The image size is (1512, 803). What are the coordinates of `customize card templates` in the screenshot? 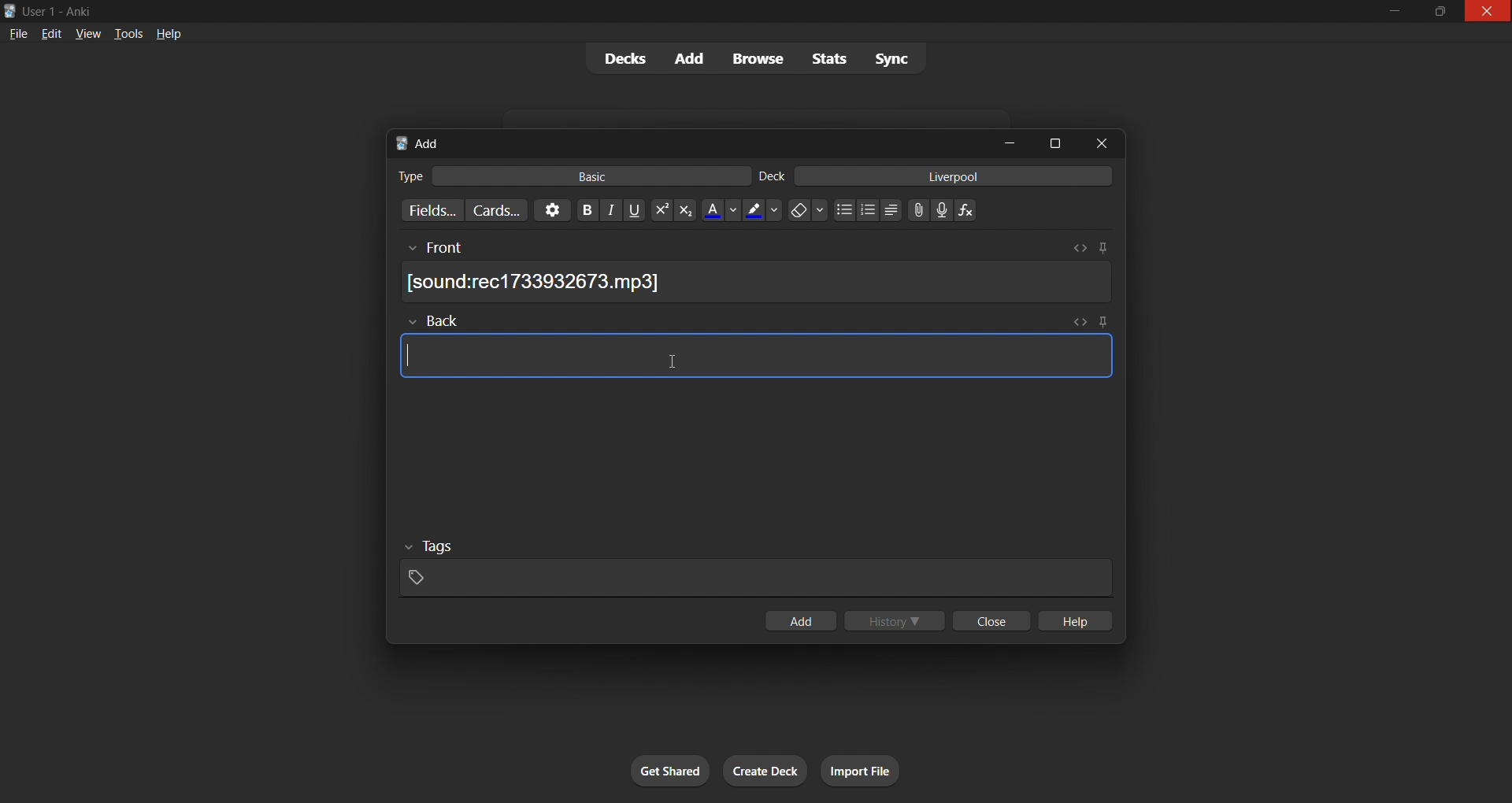 It's located at (497, 212).